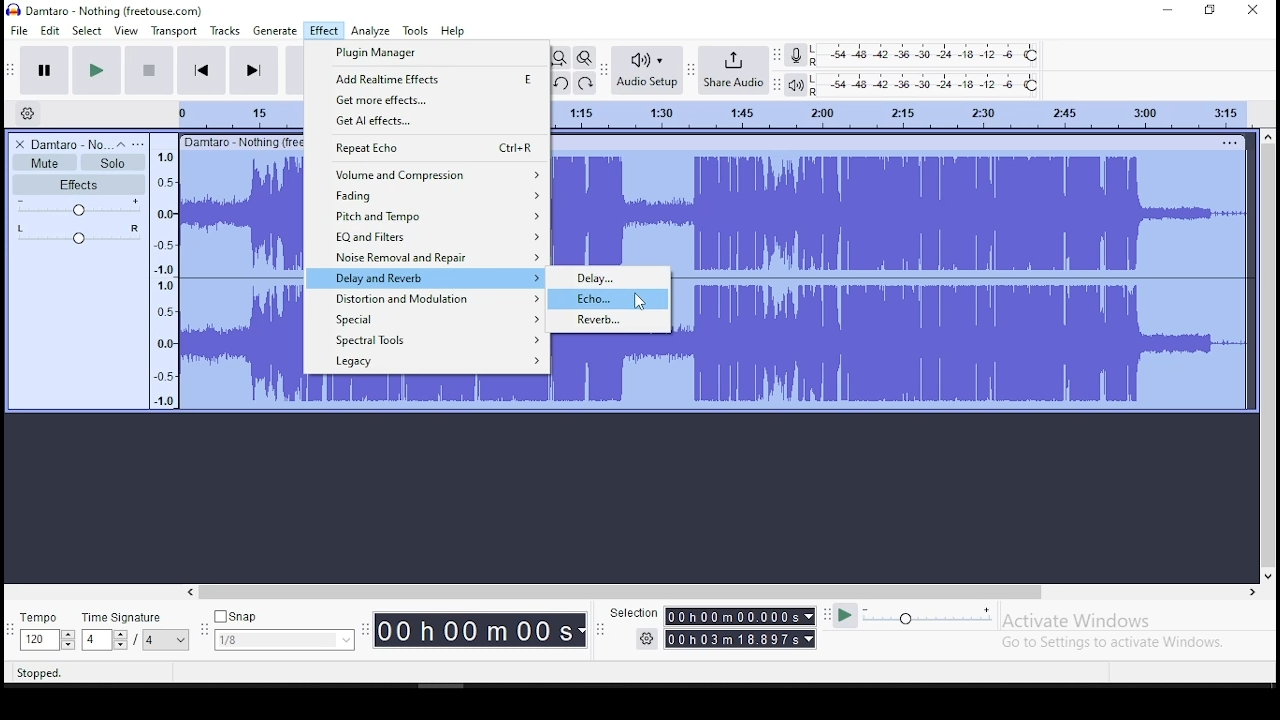  What do you see at coordinates (27, 111) in the screenshot?
I see `timeline settings` at bounding box center [27, 111].